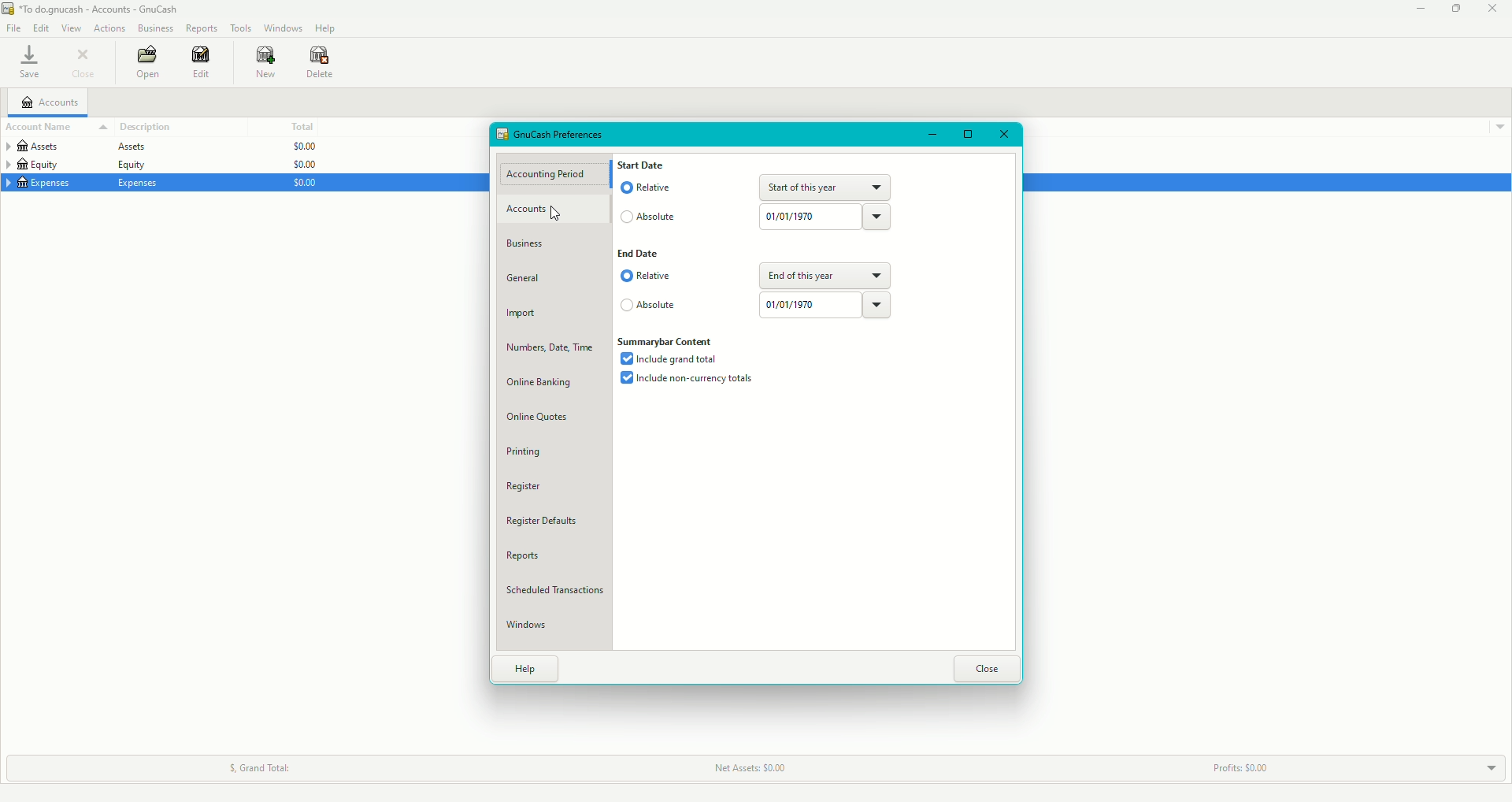 Image resolution: width=1512 pixels, height=802 pixels. I want to click on Preferences, so click(554, 133).